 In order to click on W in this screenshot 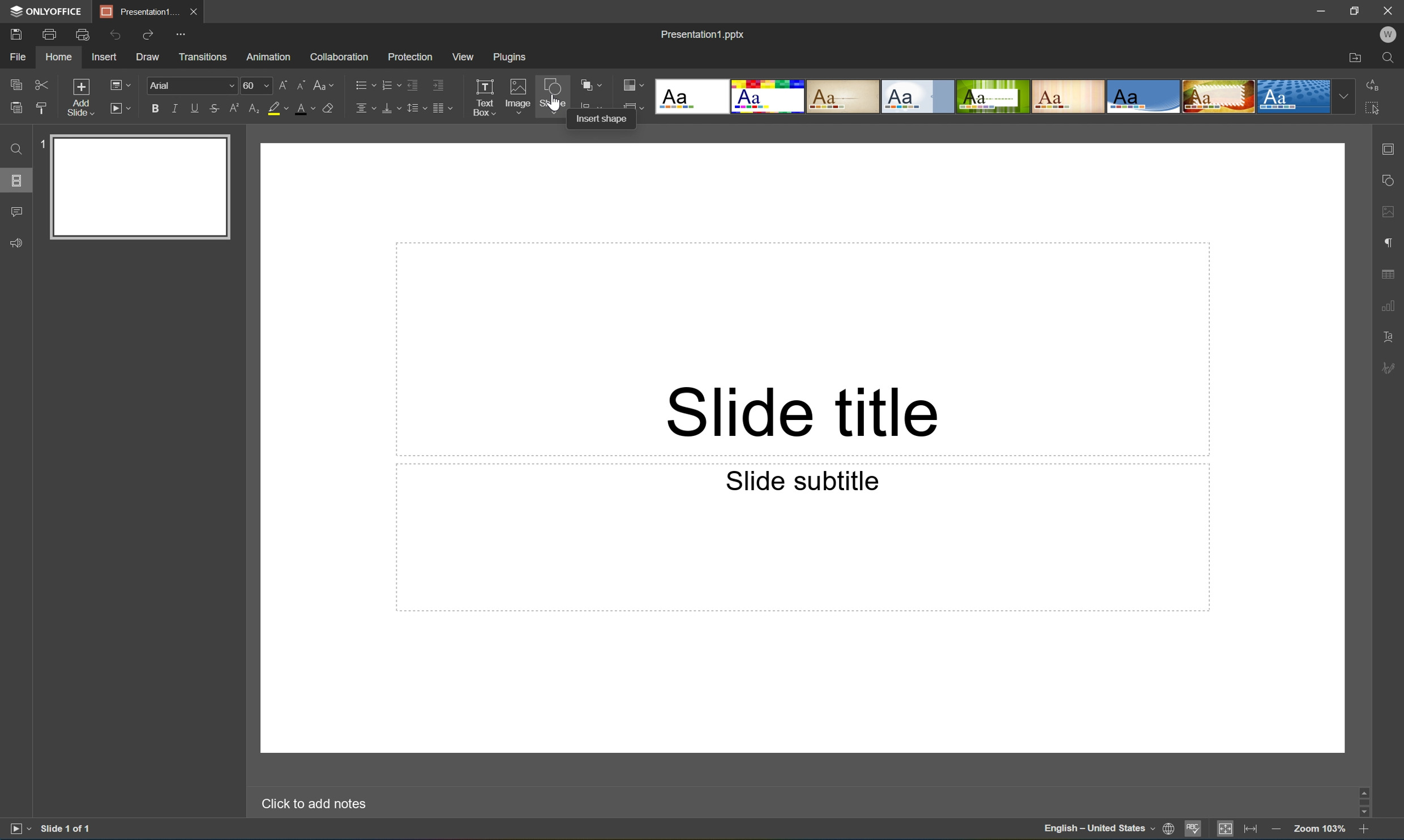, I will do `click(1388, 32)`.